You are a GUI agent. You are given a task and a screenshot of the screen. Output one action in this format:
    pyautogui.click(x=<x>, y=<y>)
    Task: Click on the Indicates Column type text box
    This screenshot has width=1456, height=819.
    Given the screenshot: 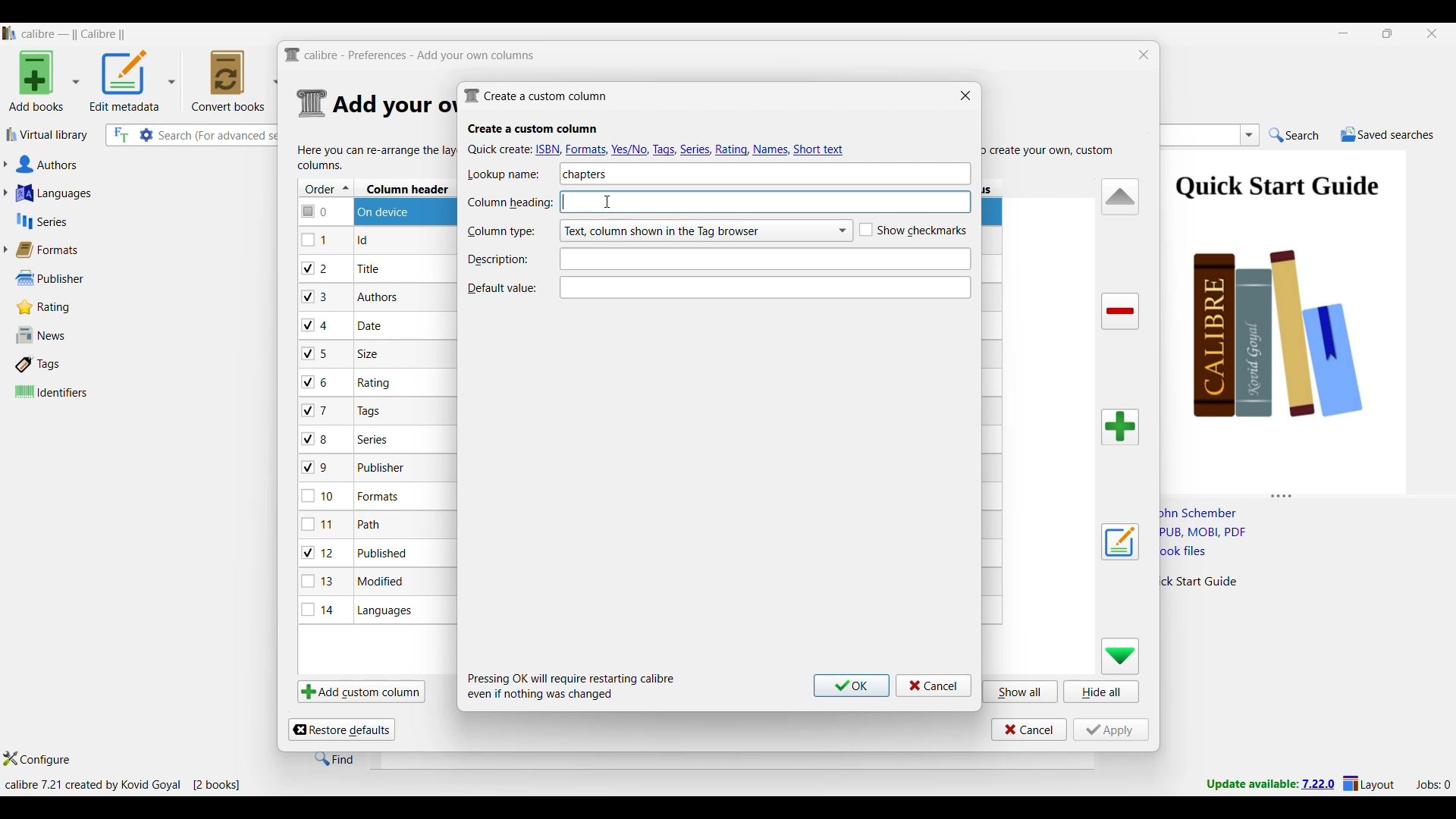 What is the action you would take?
    pyautogui.click(x=500, y=232)
    